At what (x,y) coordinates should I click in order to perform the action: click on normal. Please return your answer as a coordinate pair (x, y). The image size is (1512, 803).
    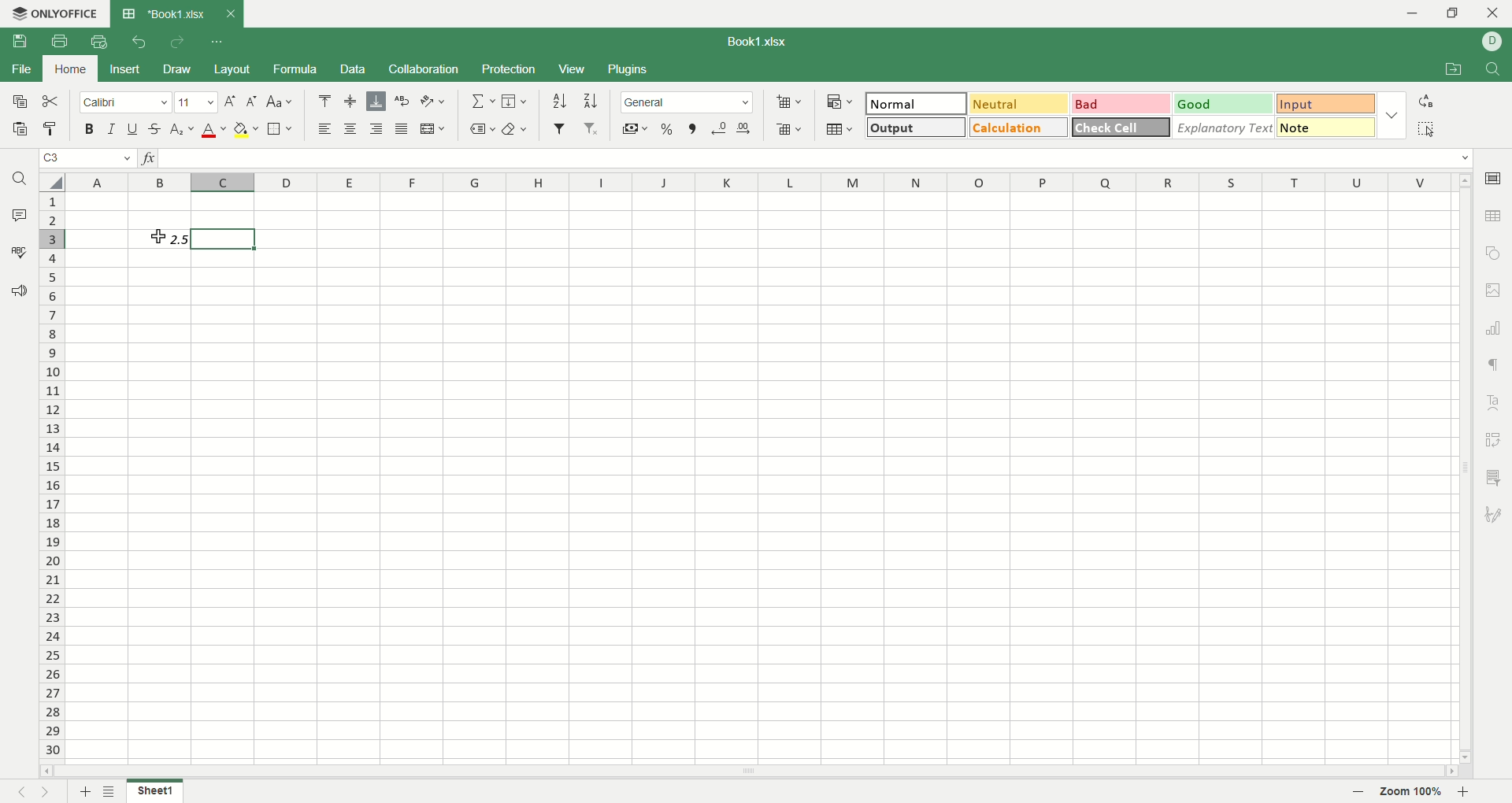
    Looking at the image, I should click on (916, 103).